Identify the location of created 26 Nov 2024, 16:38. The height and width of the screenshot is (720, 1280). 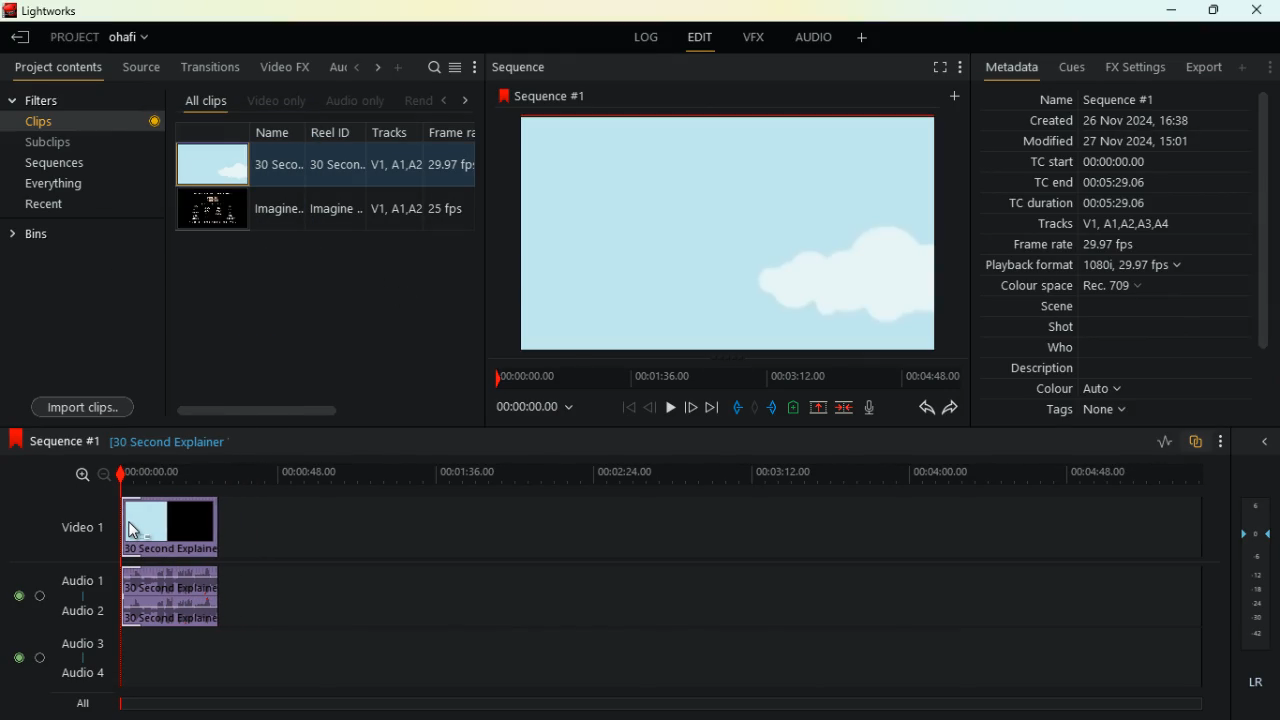
(1118, 119).